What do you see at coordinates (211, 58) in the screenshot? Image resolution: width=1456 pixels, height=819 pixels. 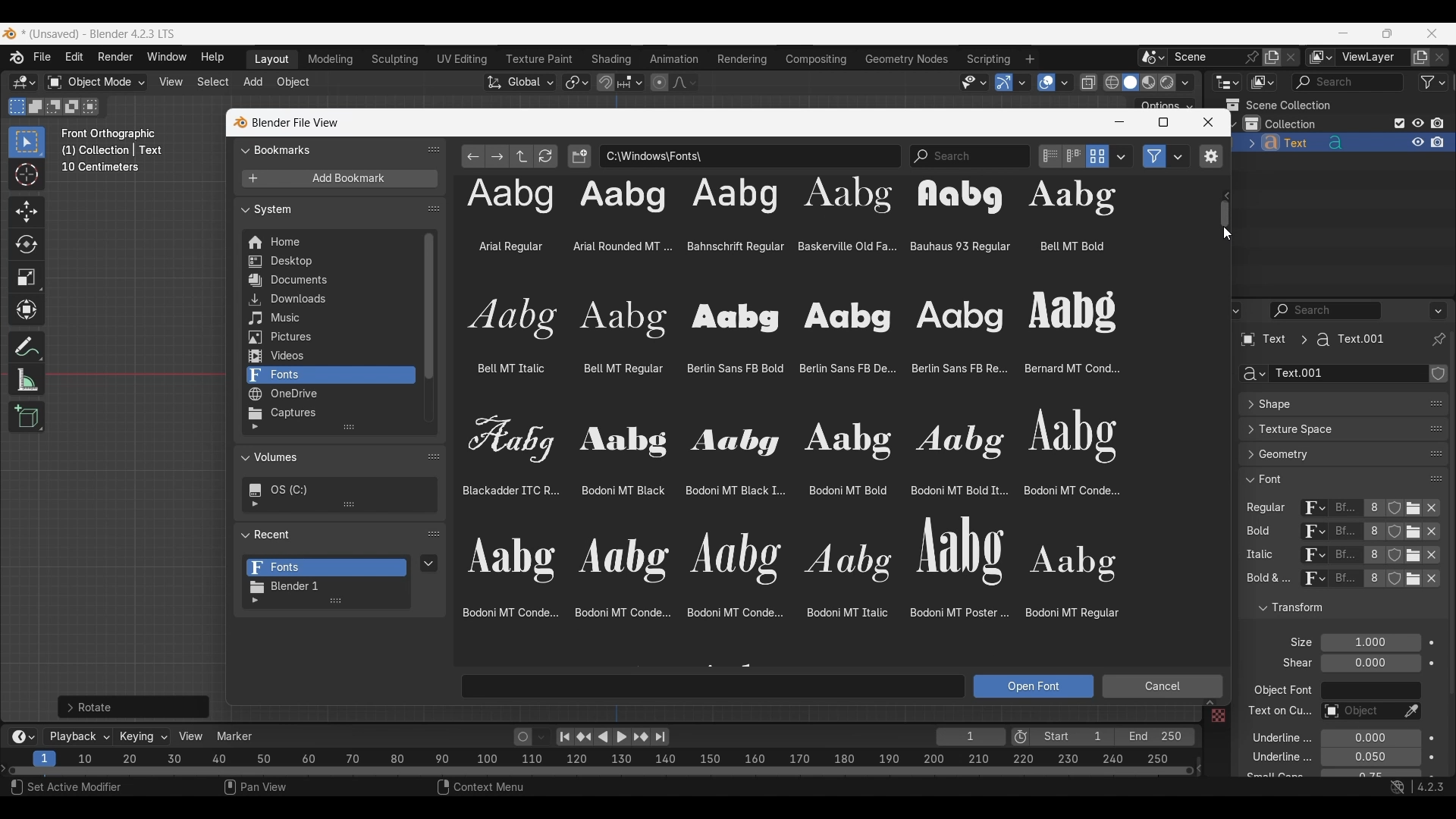 I see `Help menu` at bounding box center [211, 58].